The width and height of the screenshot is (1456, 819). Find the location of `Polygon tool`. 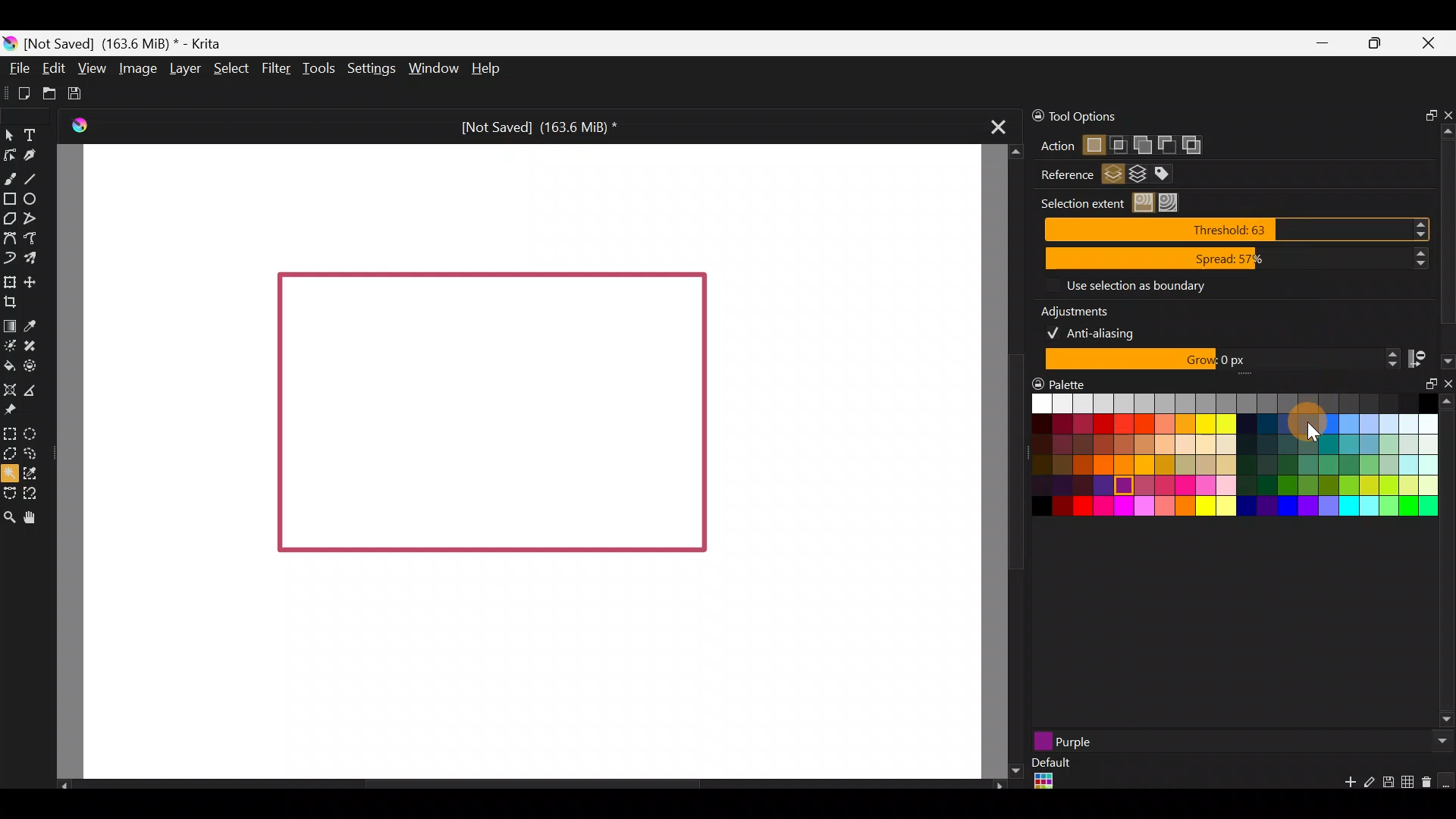

Polygon tool is located at coordinates (10, 218).